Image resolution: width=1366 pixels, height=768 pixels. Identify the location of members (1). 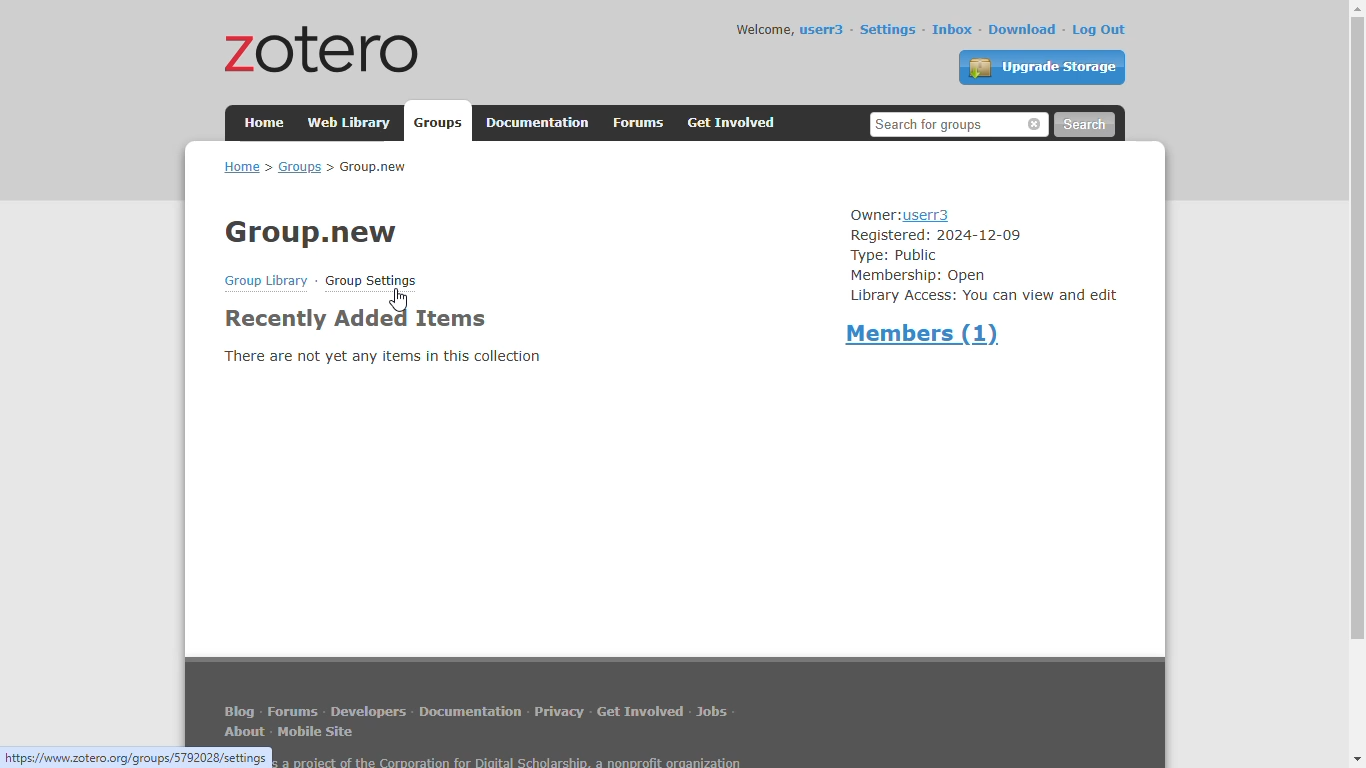
(925, 334).